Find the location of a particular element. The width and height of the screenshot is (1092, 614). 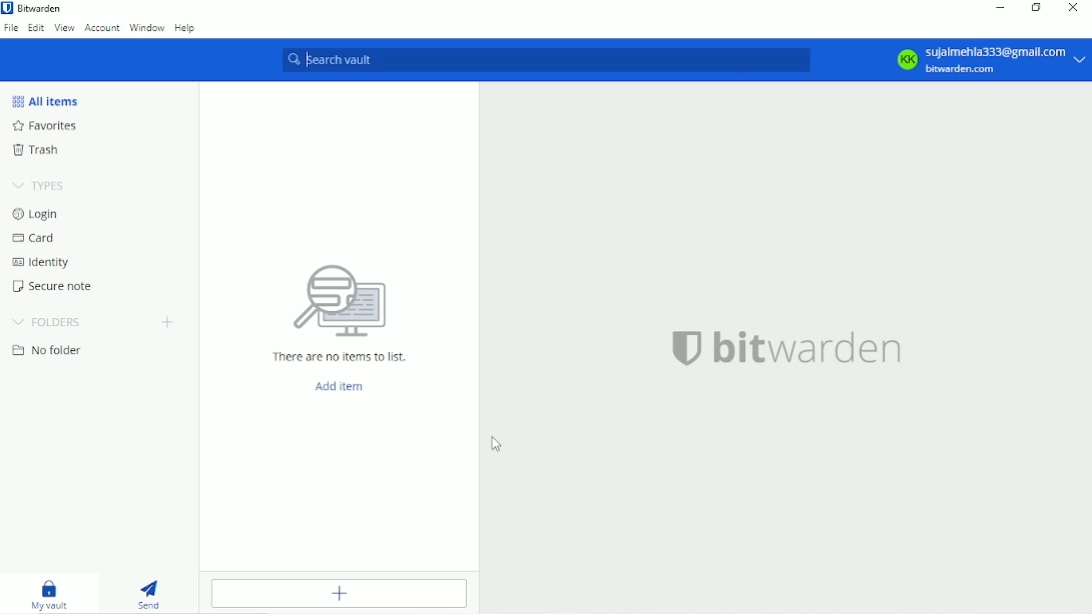

Restore down is located at coordinates (1038, 7).